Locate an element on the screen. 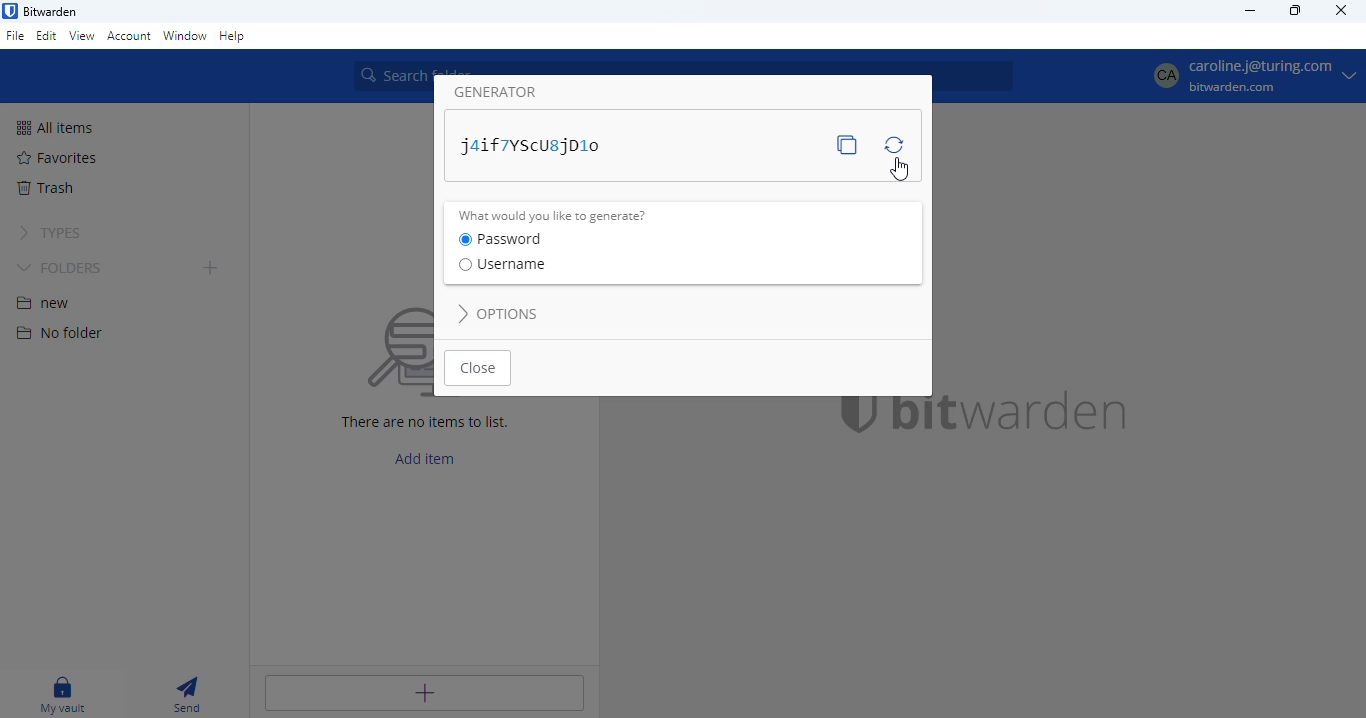 This screenshot has width=1366, height=718. window is located at coordinates (185, 36).